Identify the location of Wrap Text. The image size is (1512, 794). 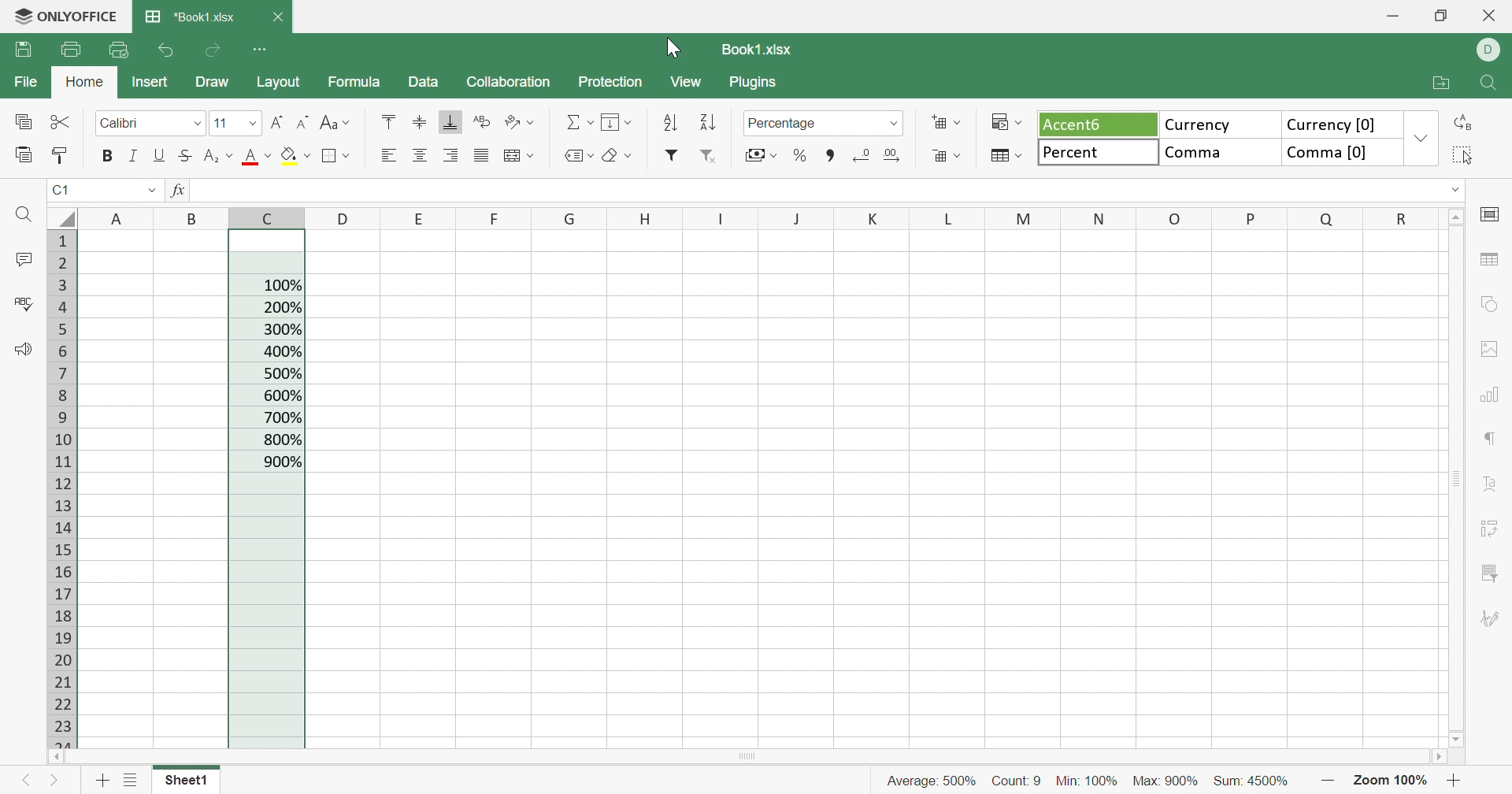
(484, 124).